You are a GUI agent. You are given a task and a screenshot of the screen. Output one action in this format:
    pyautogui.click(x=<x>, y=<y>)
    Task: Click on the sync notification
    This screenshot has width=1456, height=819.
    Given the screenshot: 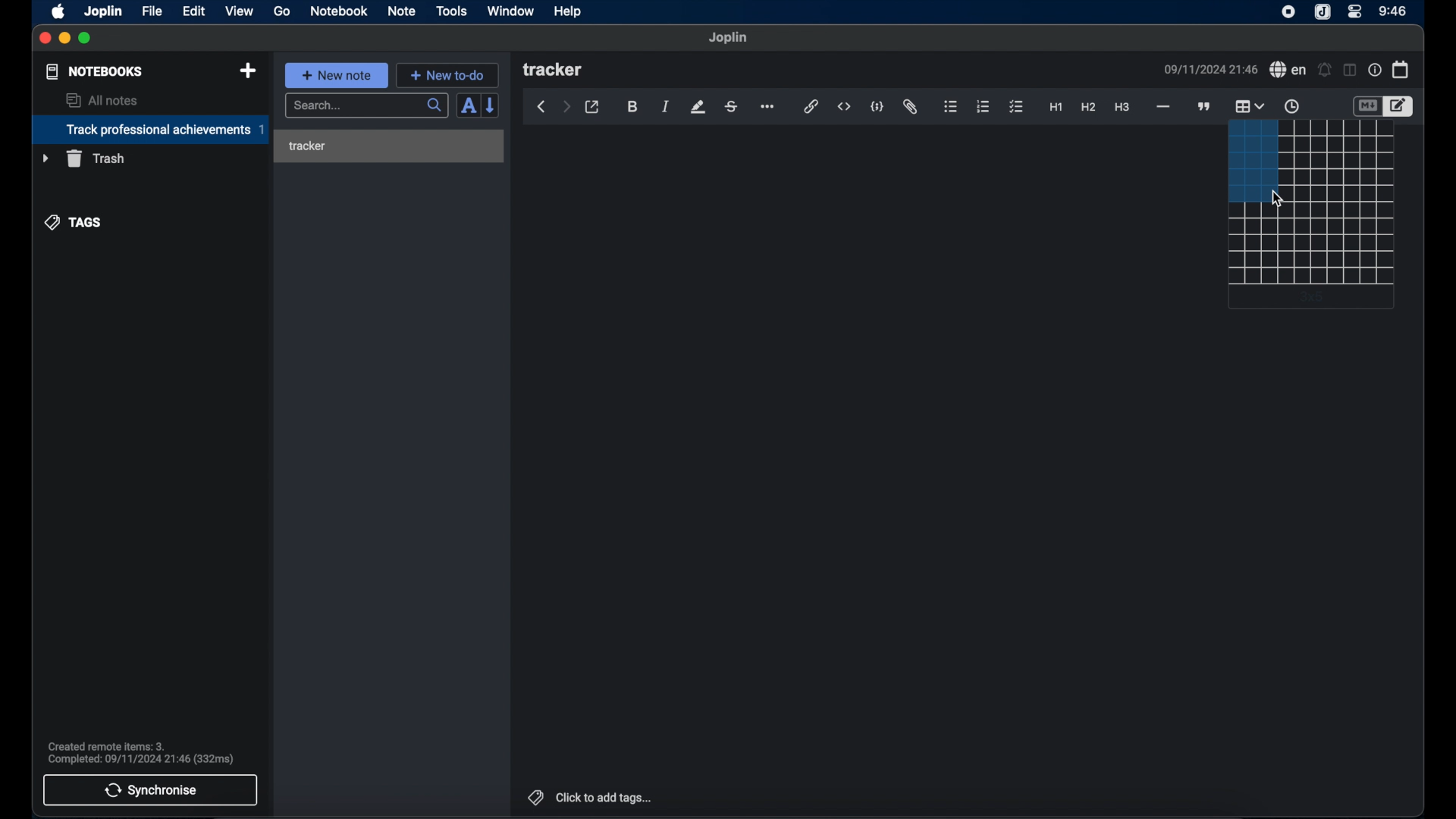 What is the action you would take?
    pyautogui.click(x=140, y=753)
    